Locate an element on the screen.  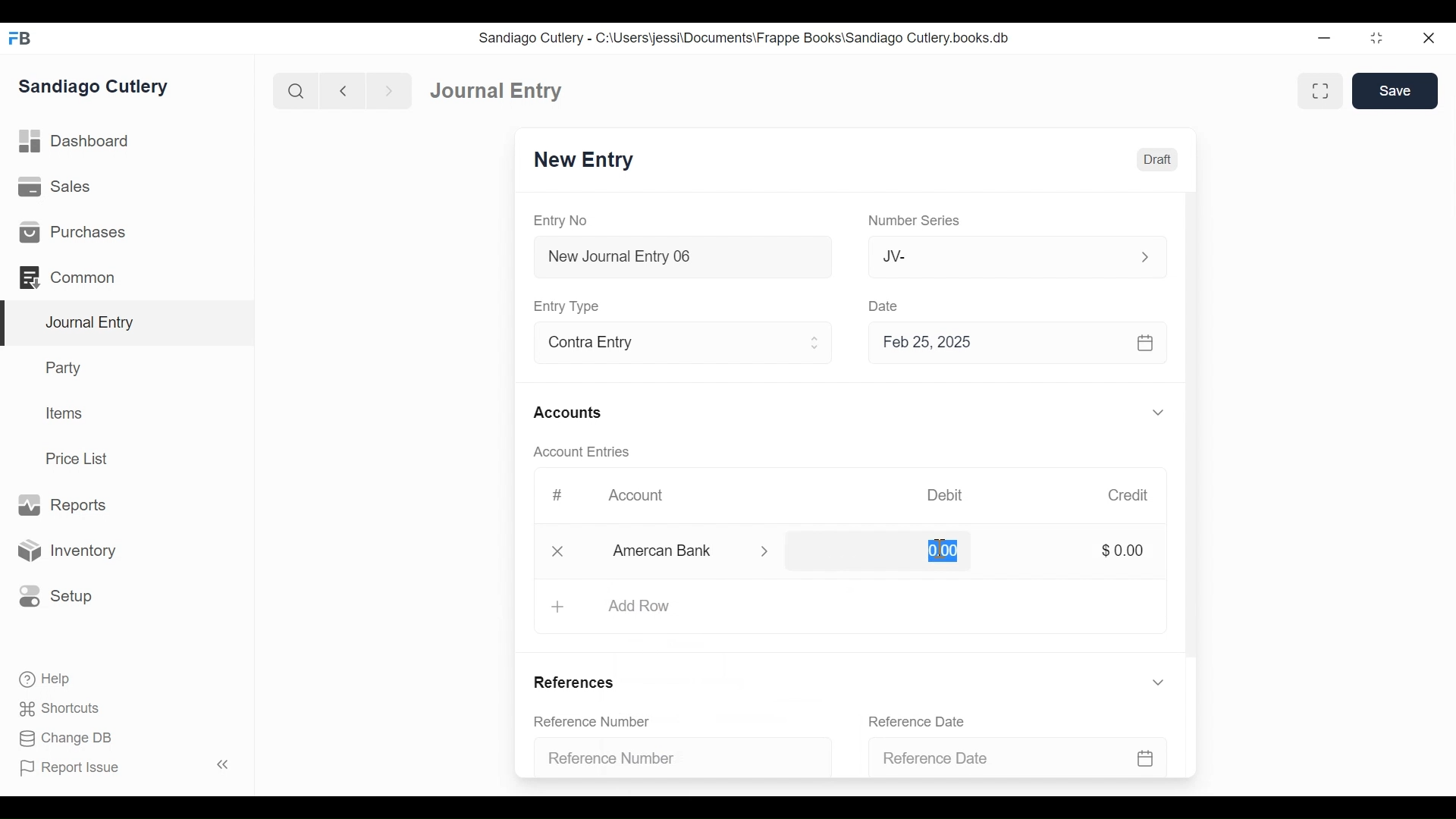
# is located at coordinates (557, 495).